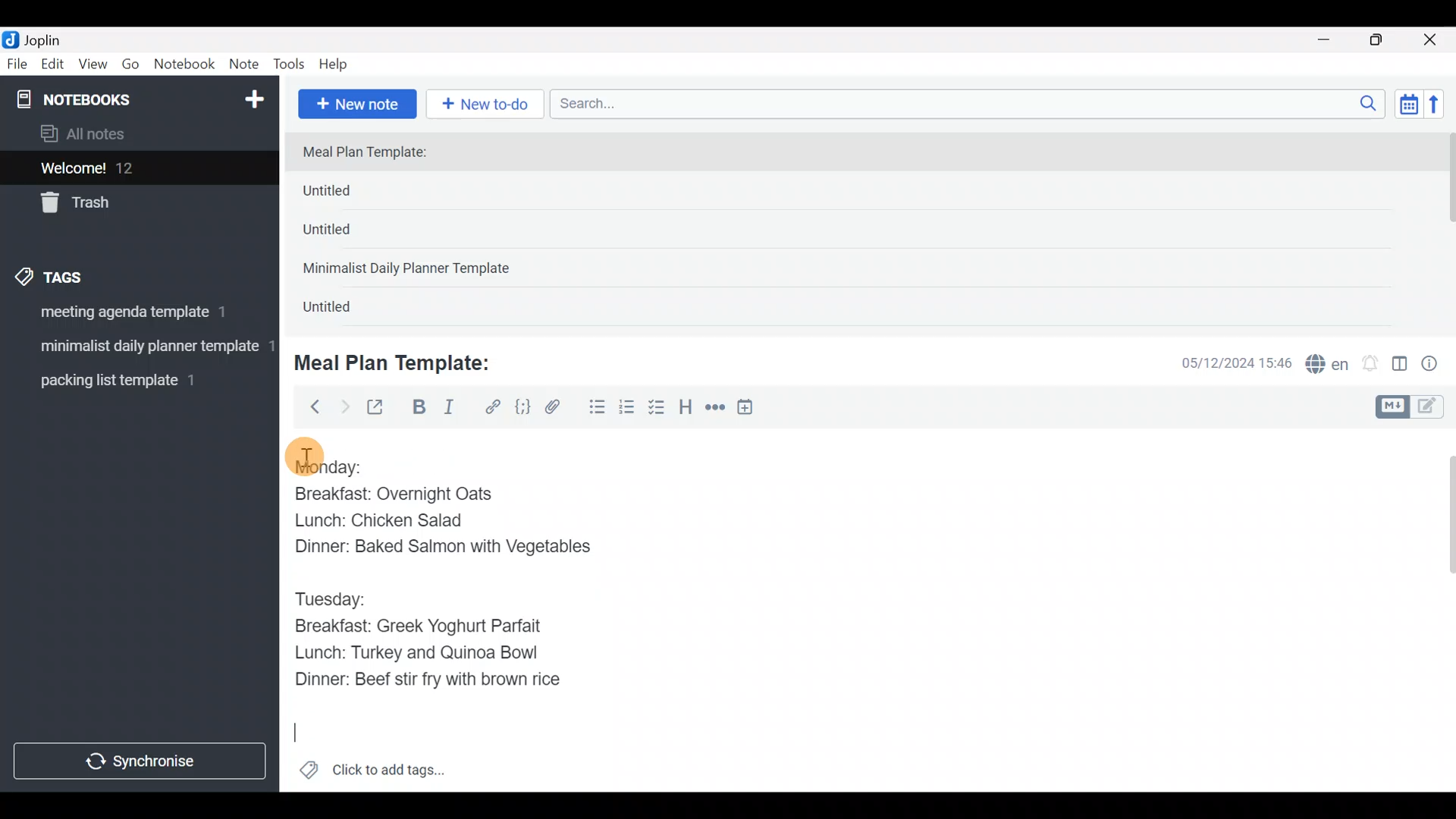  What do you see at coordinates (1446, 229) in the screenshot?
I see `scroll bar` at bounding box center [1446, 229].